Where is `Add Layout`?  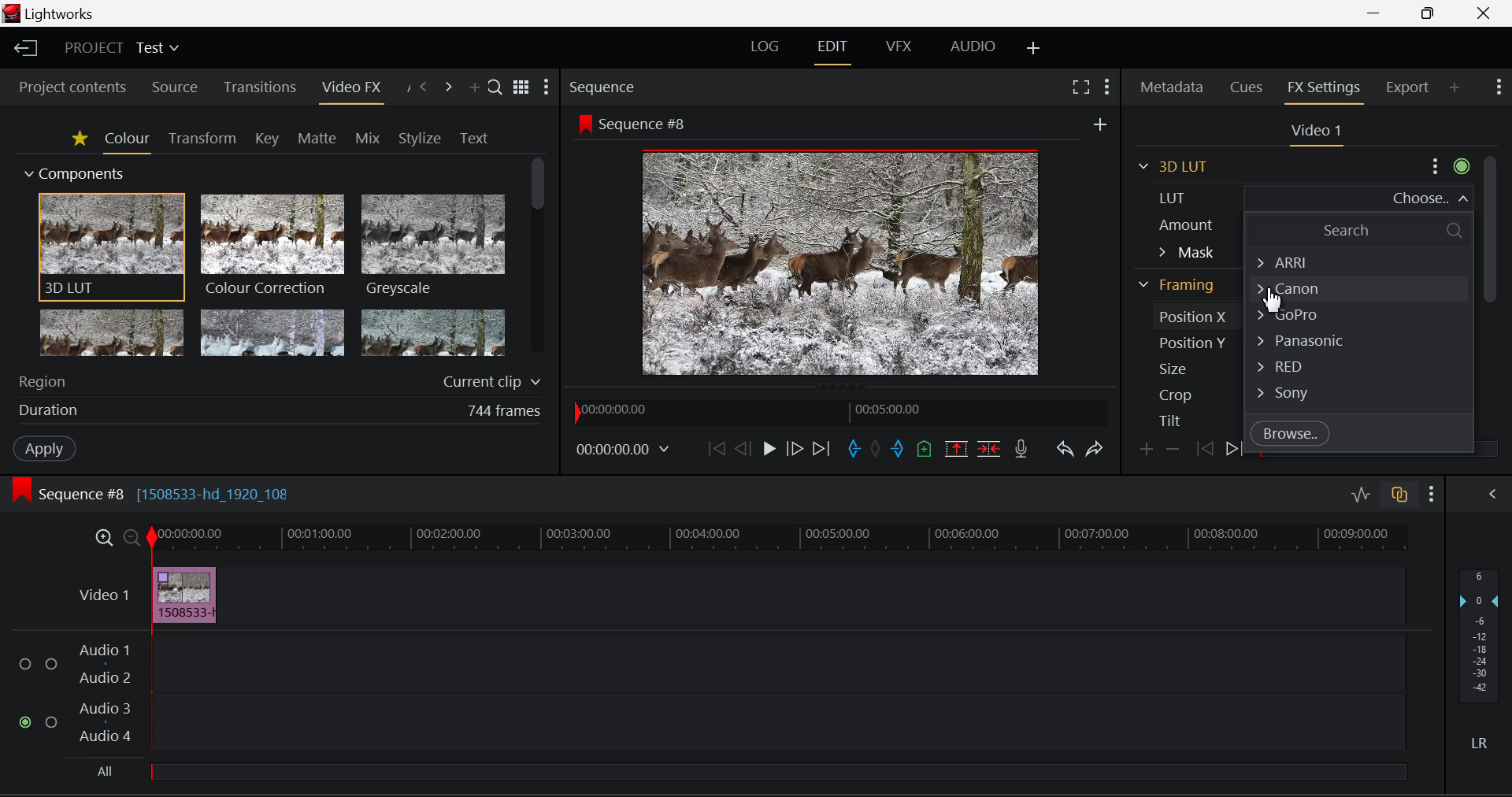
Add Layout is located at coordinates (1032, 48).